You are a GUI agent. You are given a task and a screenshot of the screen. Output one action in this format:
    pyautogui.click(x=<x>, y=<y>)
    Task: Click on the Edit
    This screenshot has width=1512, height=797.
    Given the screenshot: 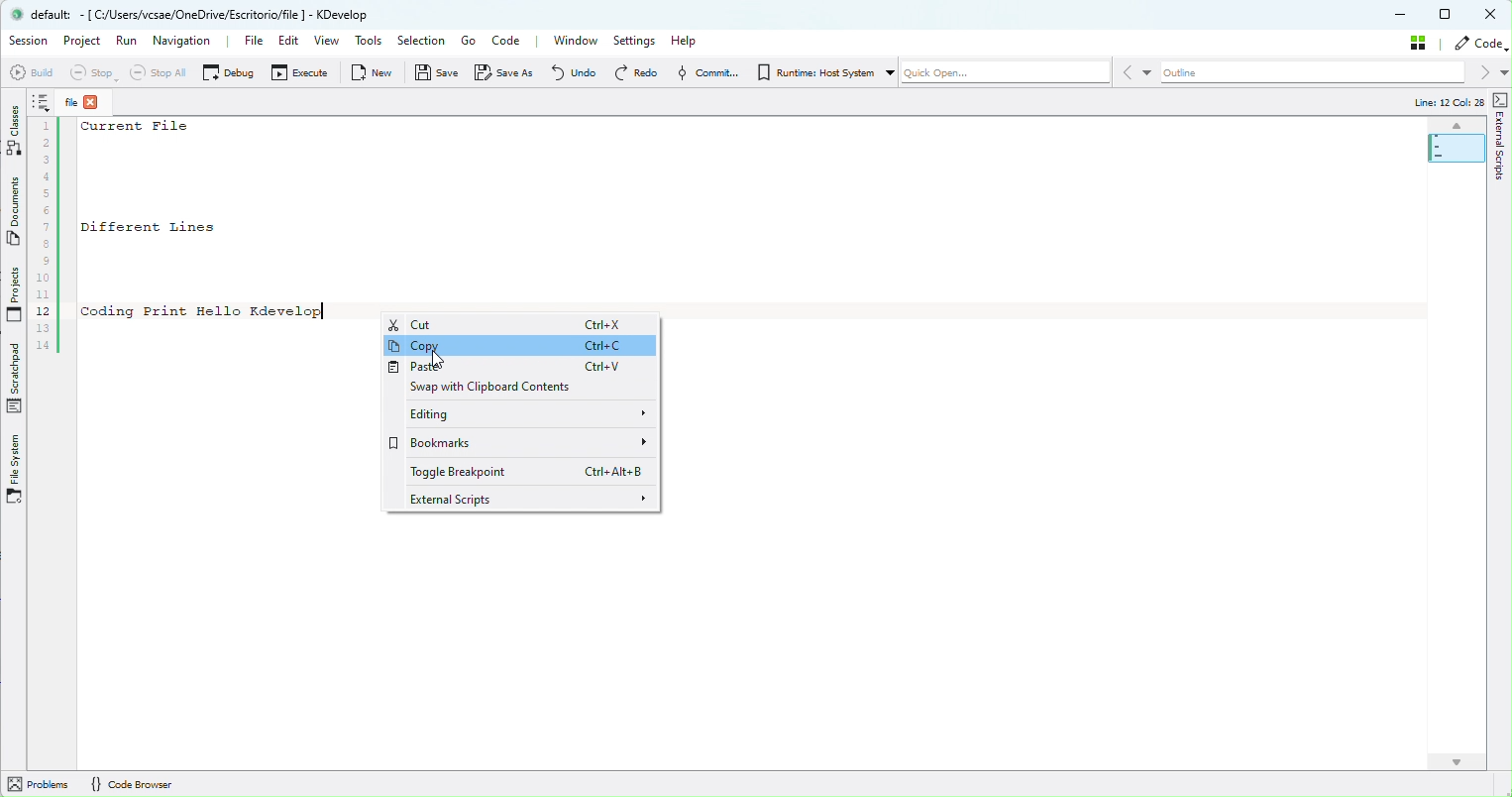 What is the action you would take?
    pyautogui.click(x=293, y=40)
    